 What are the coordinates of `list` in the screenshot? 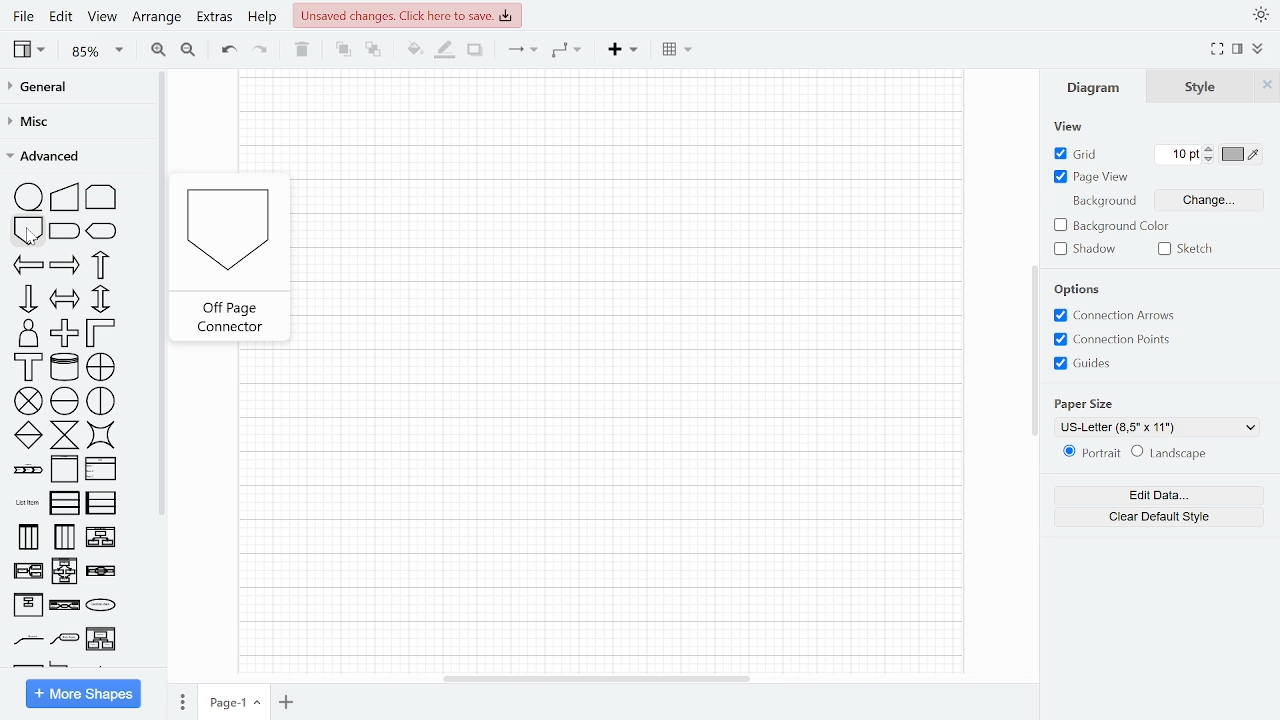 It's located at (102, 469).